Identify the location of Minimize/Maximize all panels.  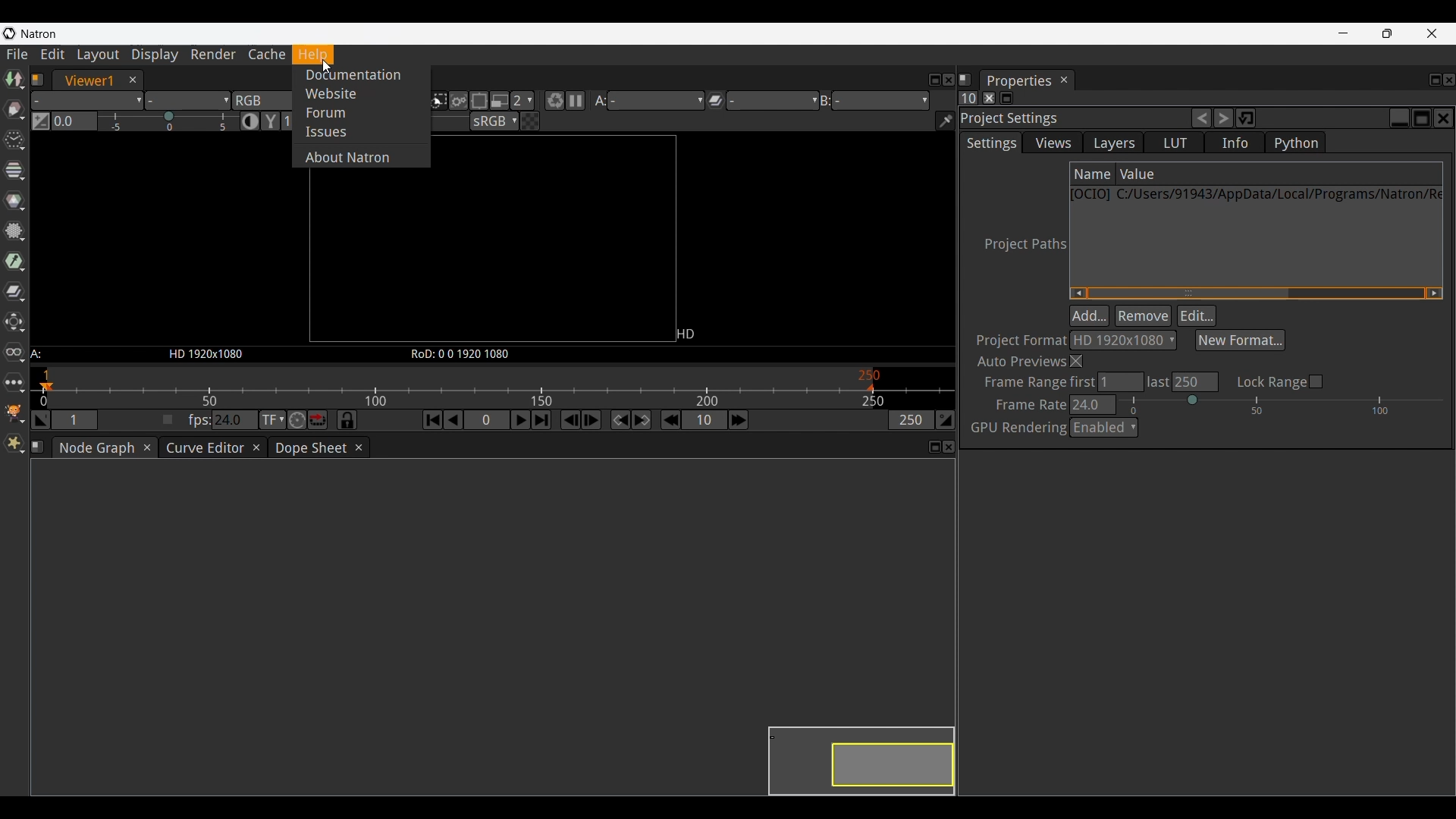
(1006, 98).